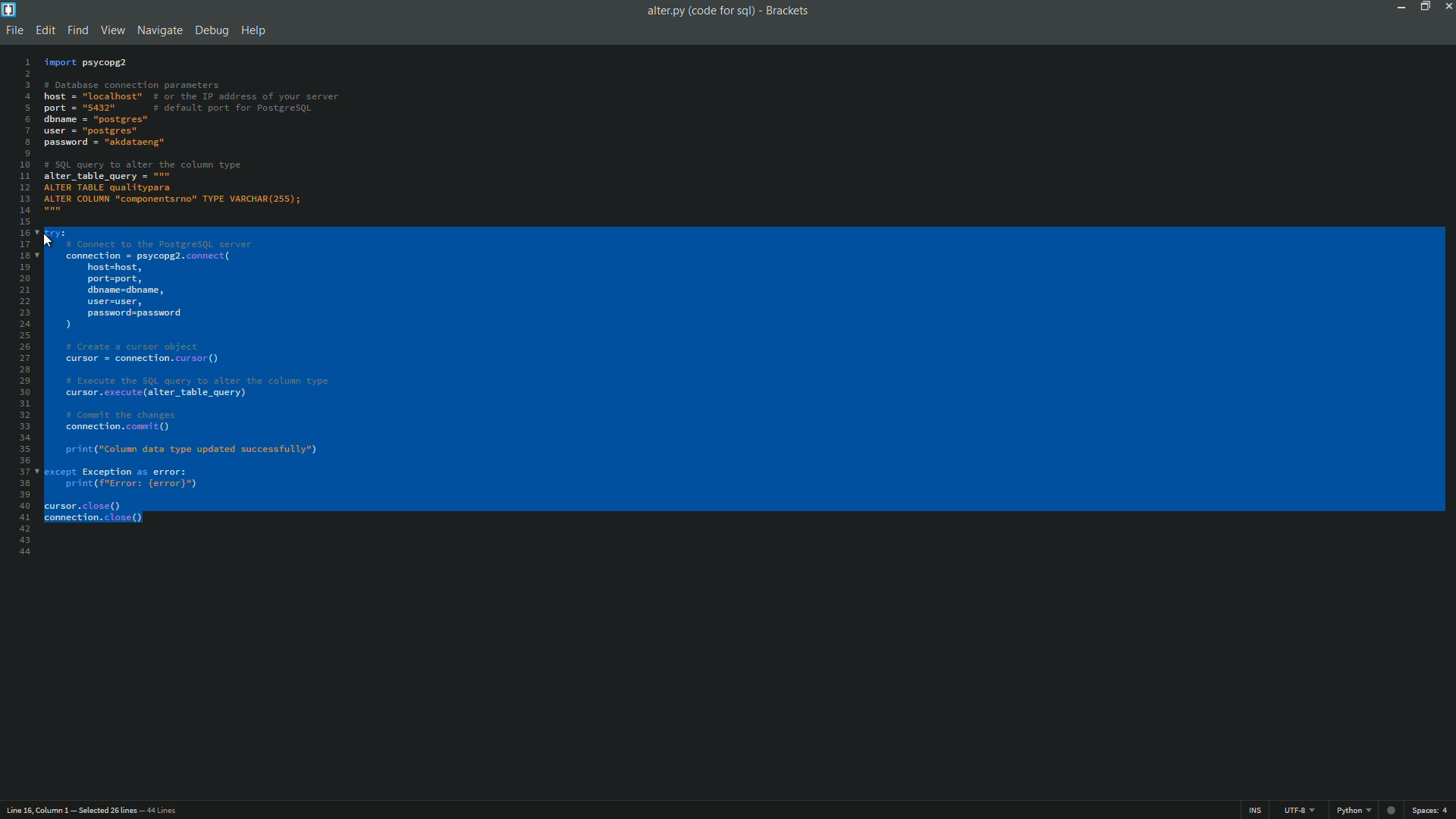  Describe the element at coordinates (48, 240) in the screenshot. I see `cursor` at that location.